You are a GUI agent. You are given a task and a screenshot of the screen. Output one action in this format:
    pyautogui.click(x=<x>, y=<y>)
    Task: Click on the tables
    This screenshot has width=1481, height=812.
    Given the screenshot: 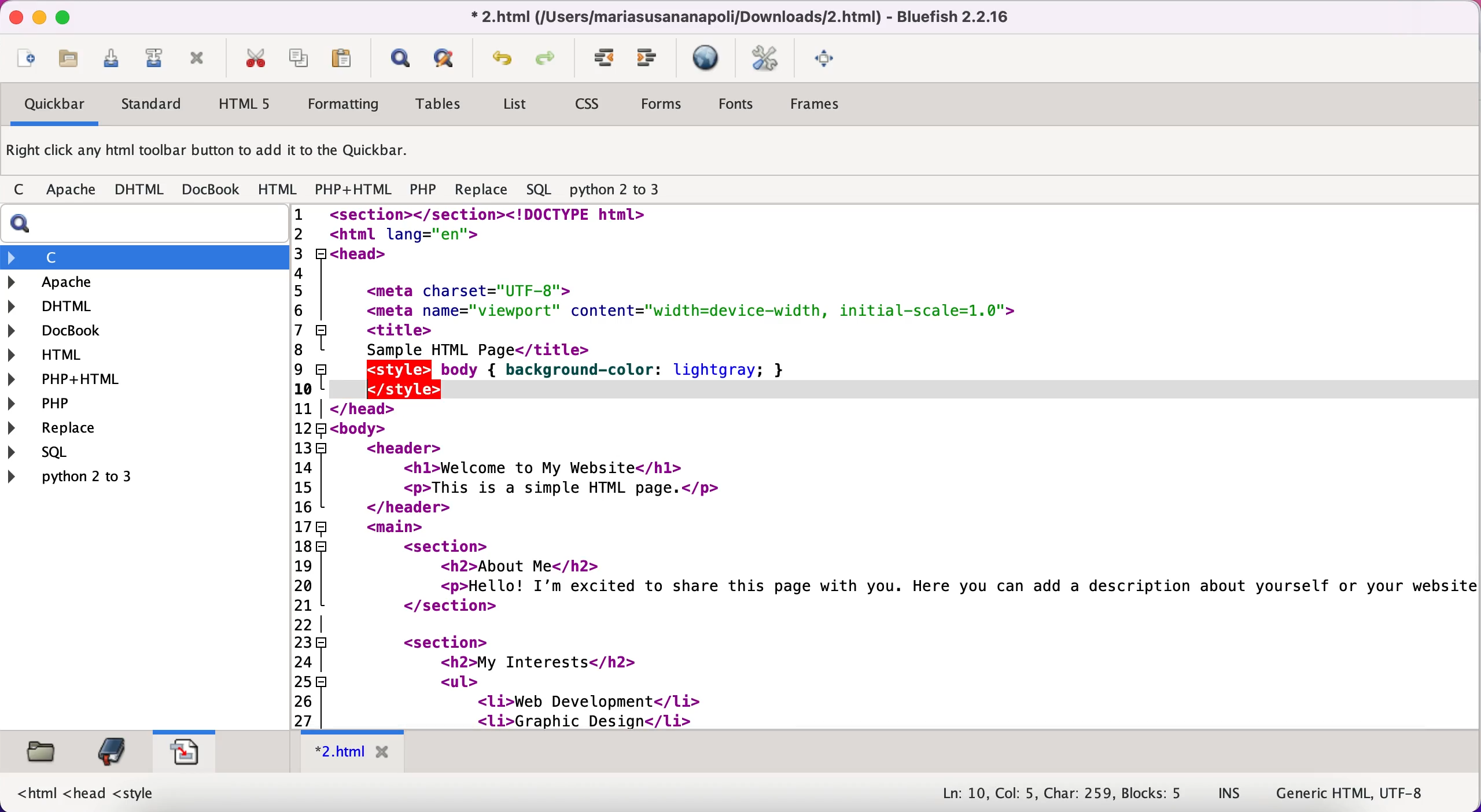 What is the action you would take?
    pyautogui.click(x=443, y=105)
    